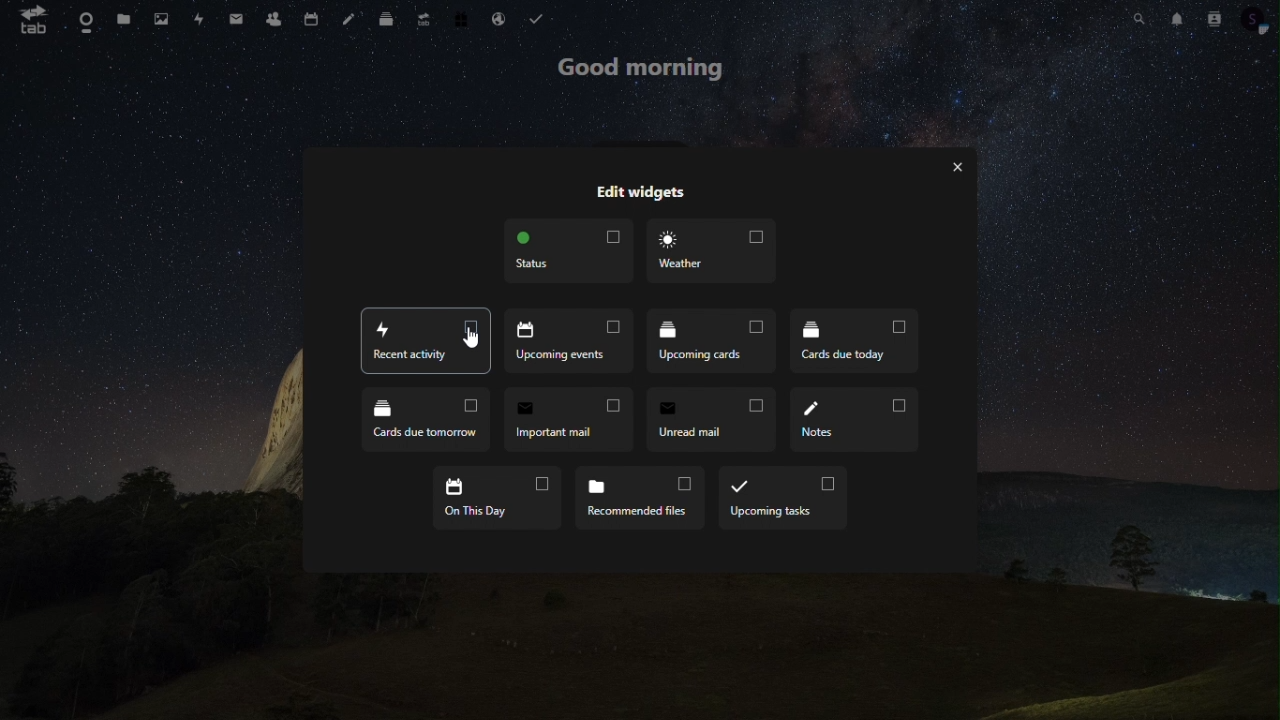 The width and height of the screenshot is (1280, 720). Describe the element at coordinates (495, 494) in the screenshot. I see `on this day` at that location.